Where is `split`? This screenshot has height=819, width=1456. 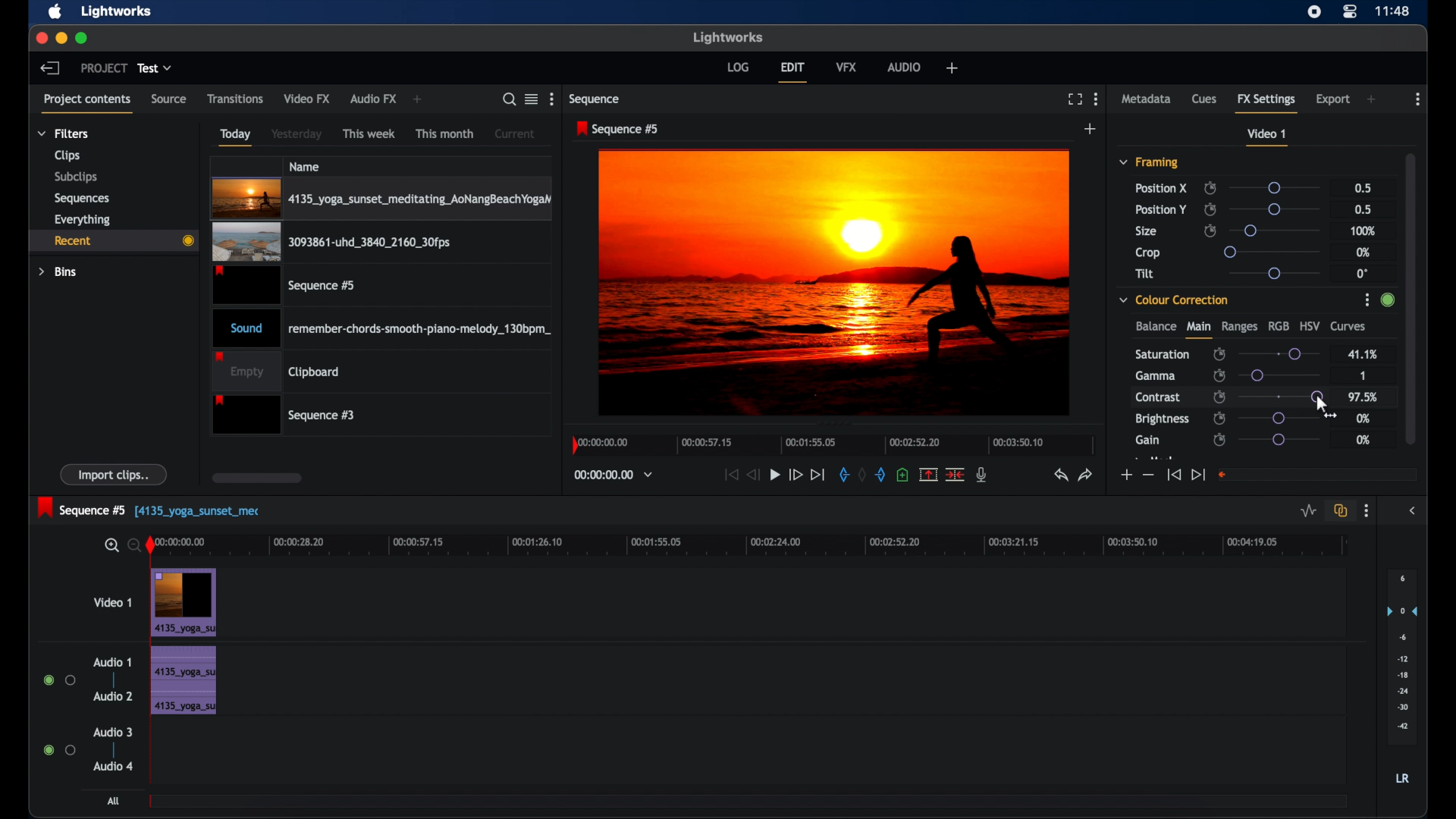
split is located at coordinates (928, 474).